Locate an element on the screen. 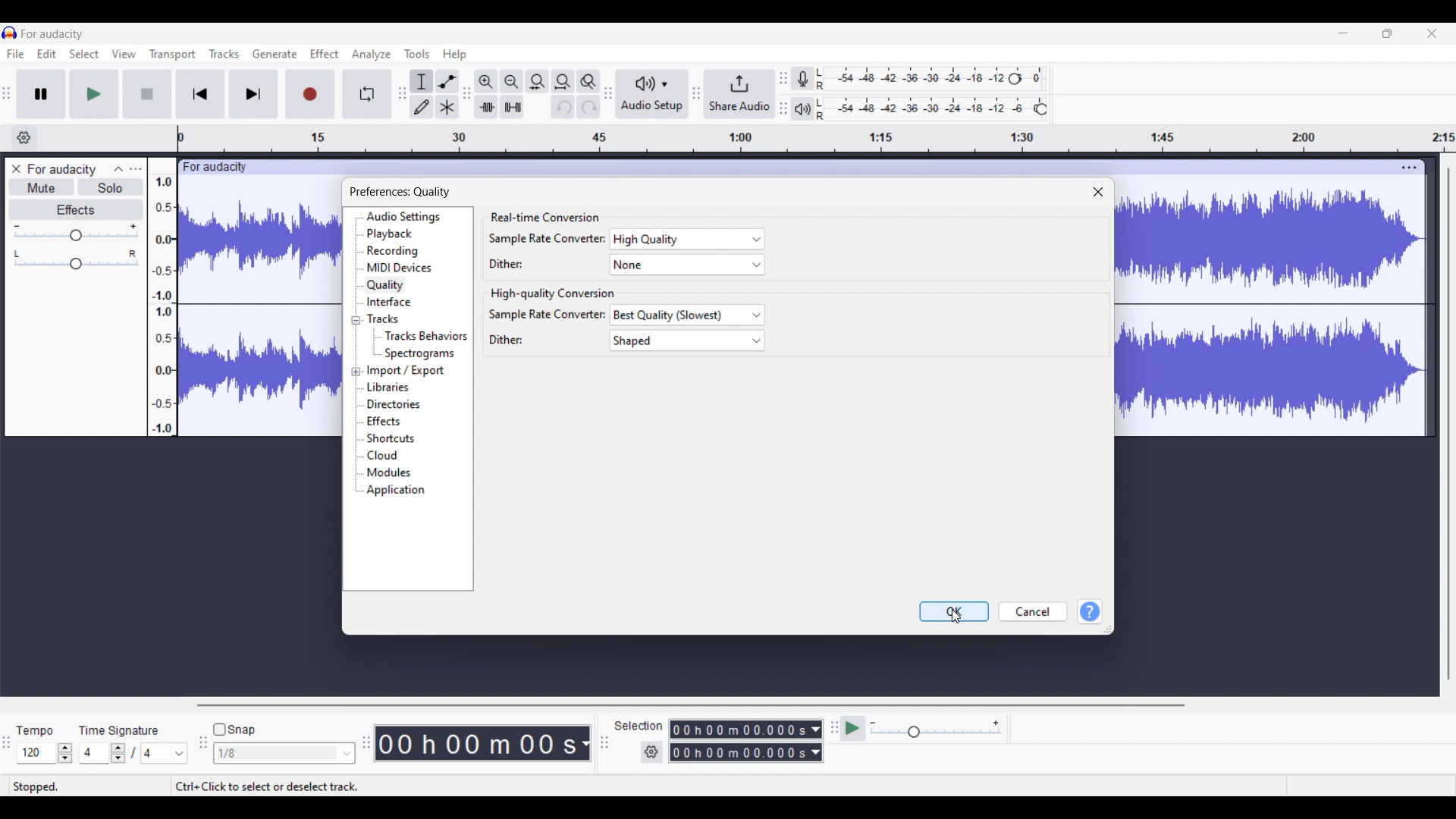 The width and height of the screenshot is (1456, 819). Envelop tool is located at coordinates (448, 81).